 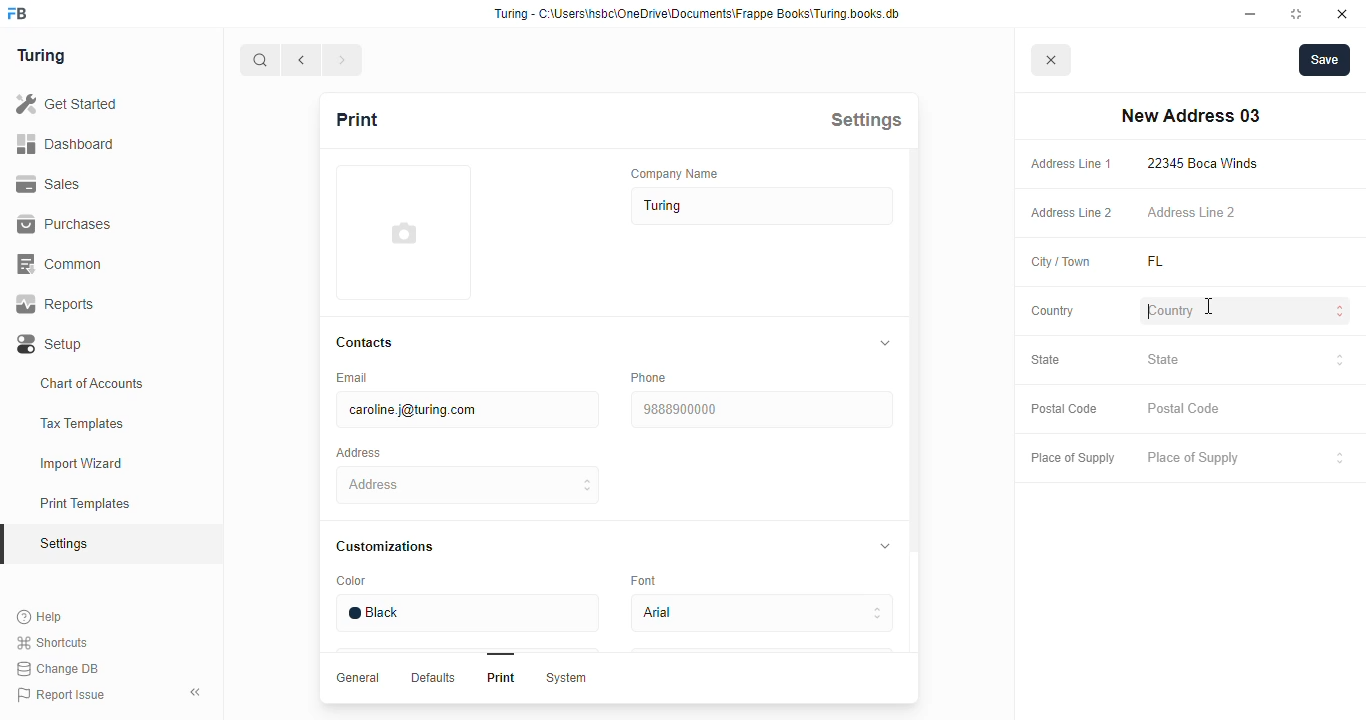 I want to click on help, so click(x=41, y=617).